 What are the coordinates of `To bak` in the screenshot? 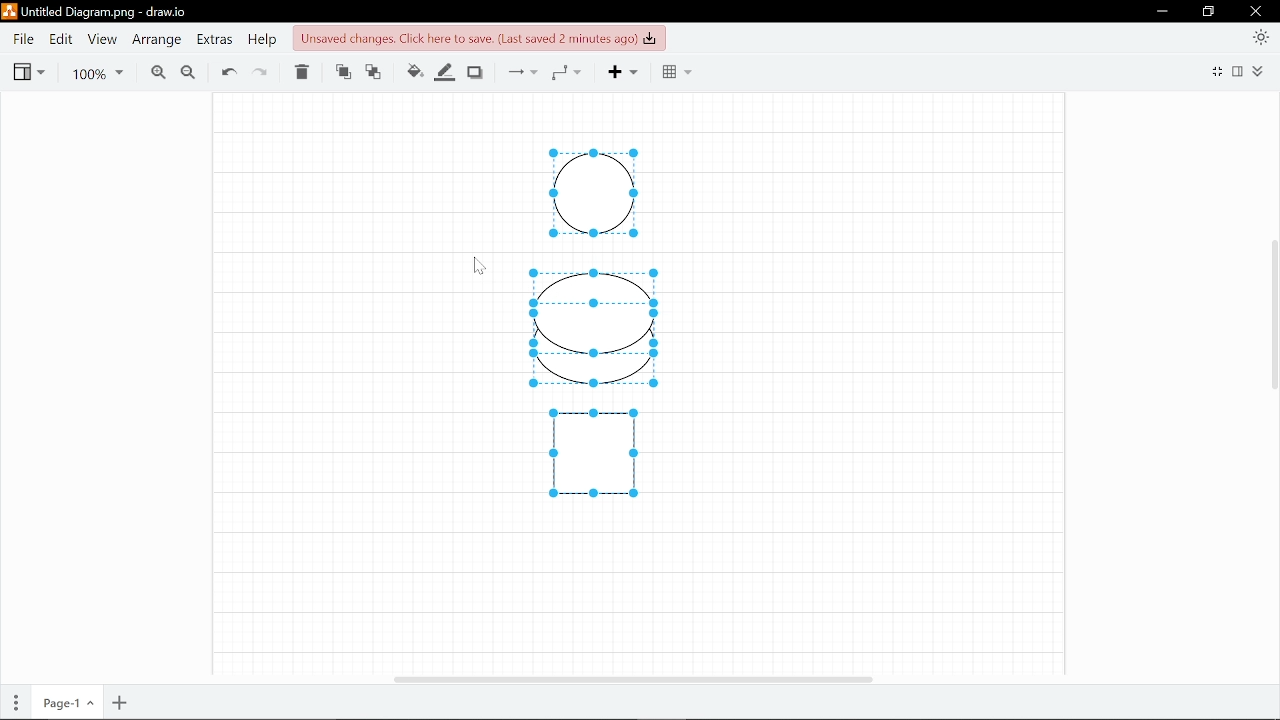 It's located at (377, 73).